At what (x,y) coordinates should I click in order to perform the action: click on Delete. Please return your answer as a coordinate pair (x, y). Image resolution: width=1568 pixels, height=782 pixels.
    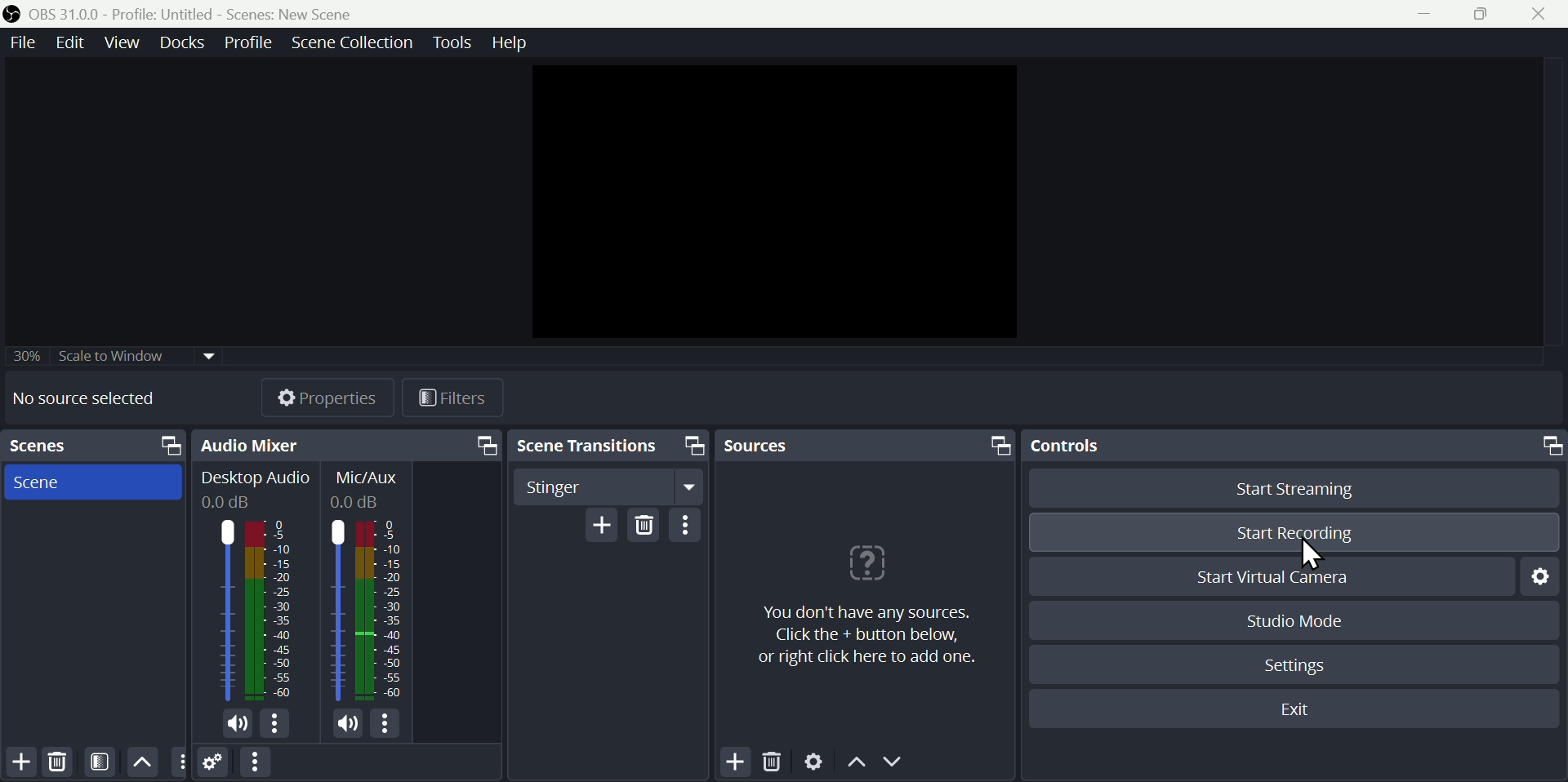
    Looking at the image, I should click on (61, 761).